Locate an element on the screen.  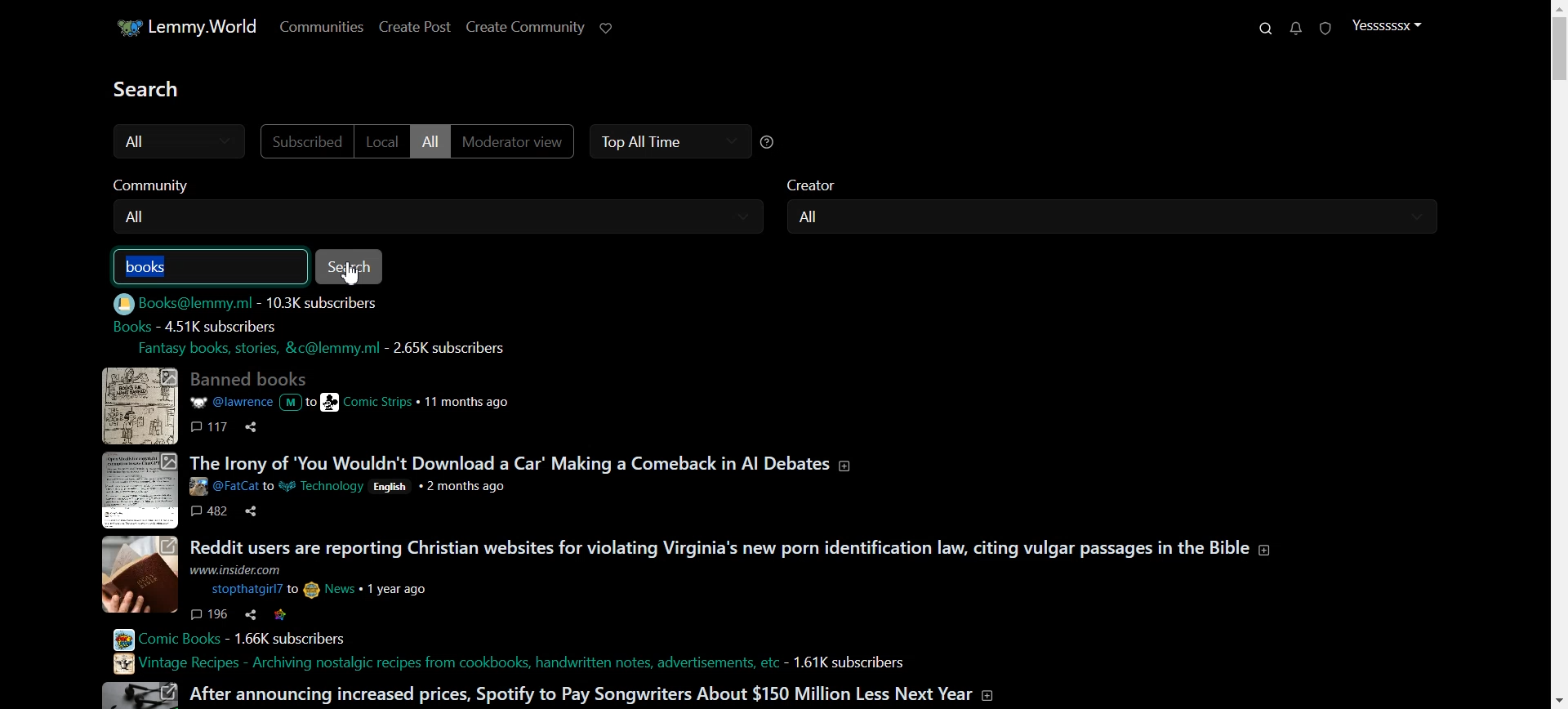
subscriber is located at coordinates (286, 639).